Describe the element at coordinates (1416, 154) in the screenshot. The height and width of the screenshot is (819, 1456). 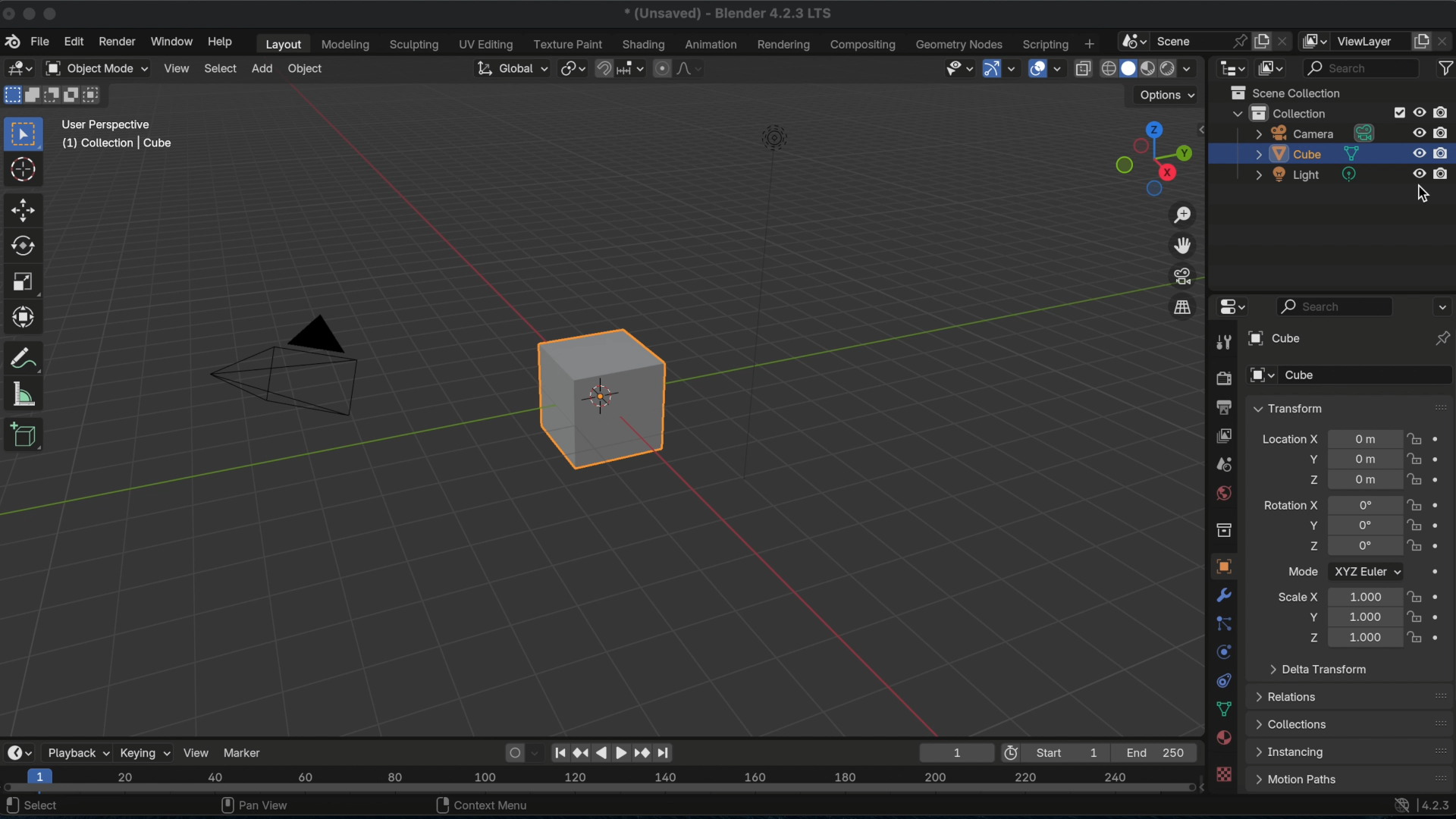
I see `hide in view port` at that location.